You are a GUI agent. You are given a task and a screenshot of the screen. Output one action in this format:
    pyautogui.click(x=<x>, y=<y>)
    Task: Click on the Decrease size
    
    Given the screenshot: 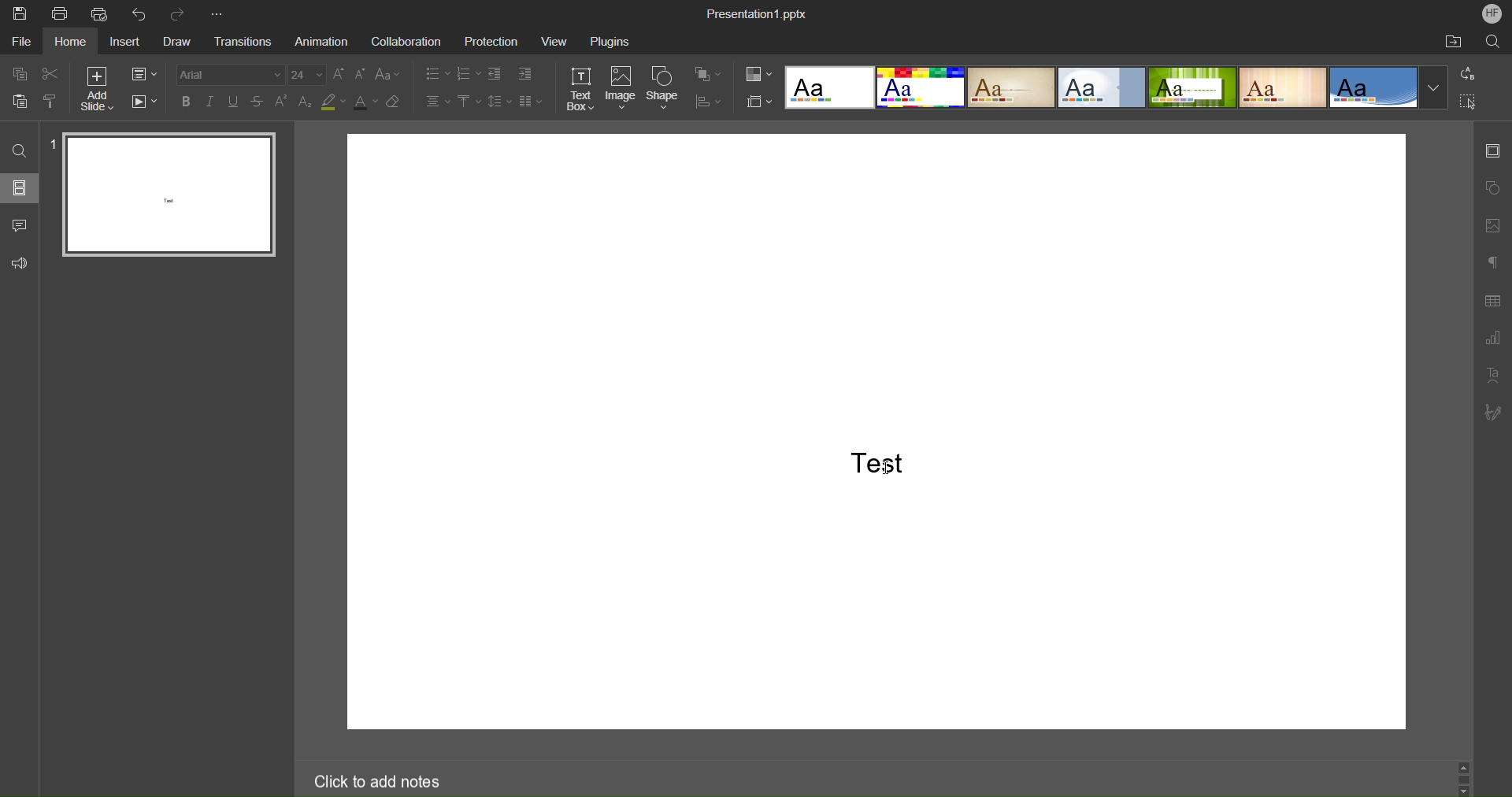 What is the action you would take?
    pyautogui.click(x=361, y=74)
    